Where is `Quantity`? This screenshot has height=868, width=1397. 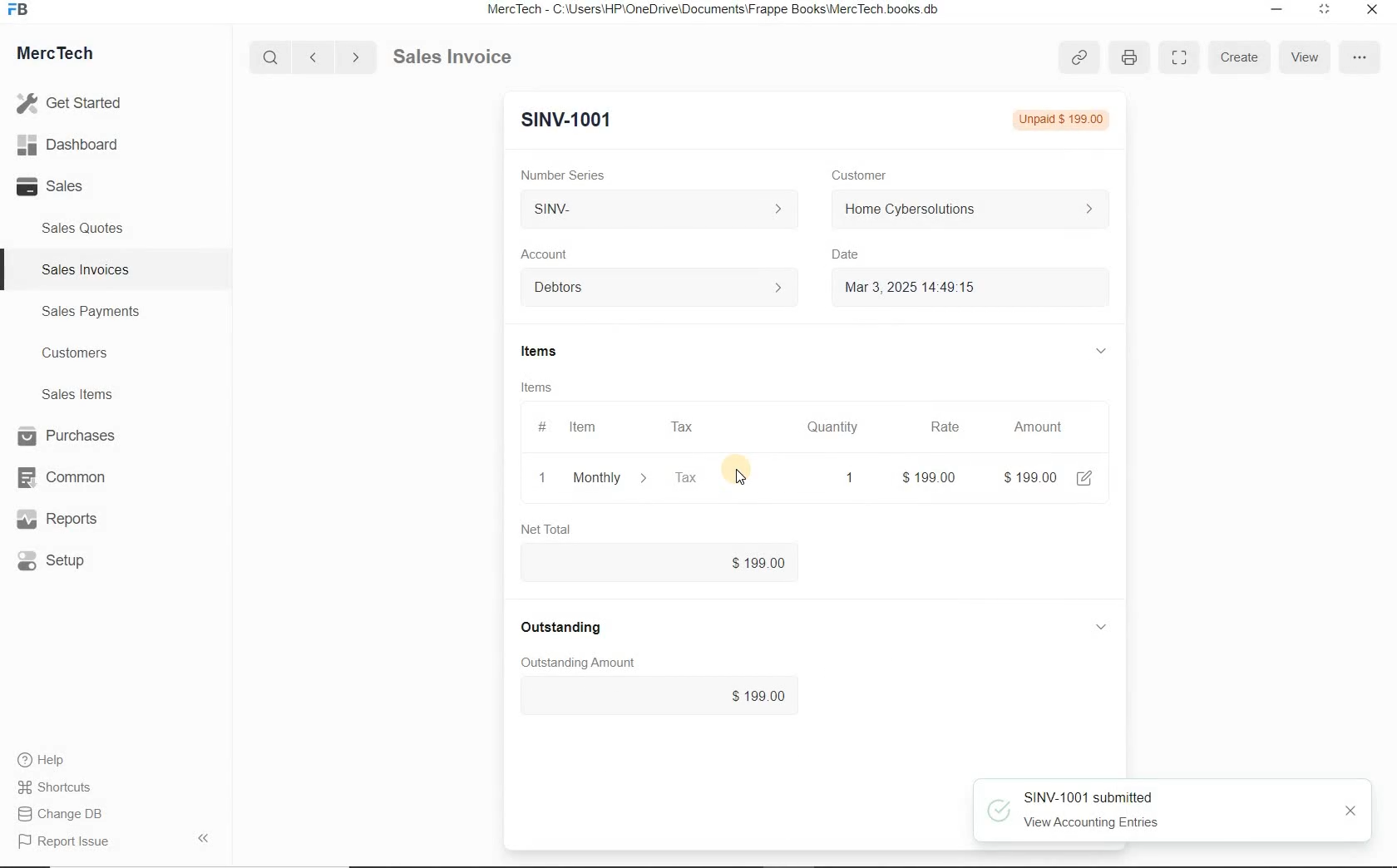
Quantity is located at coordinates (822, 430).